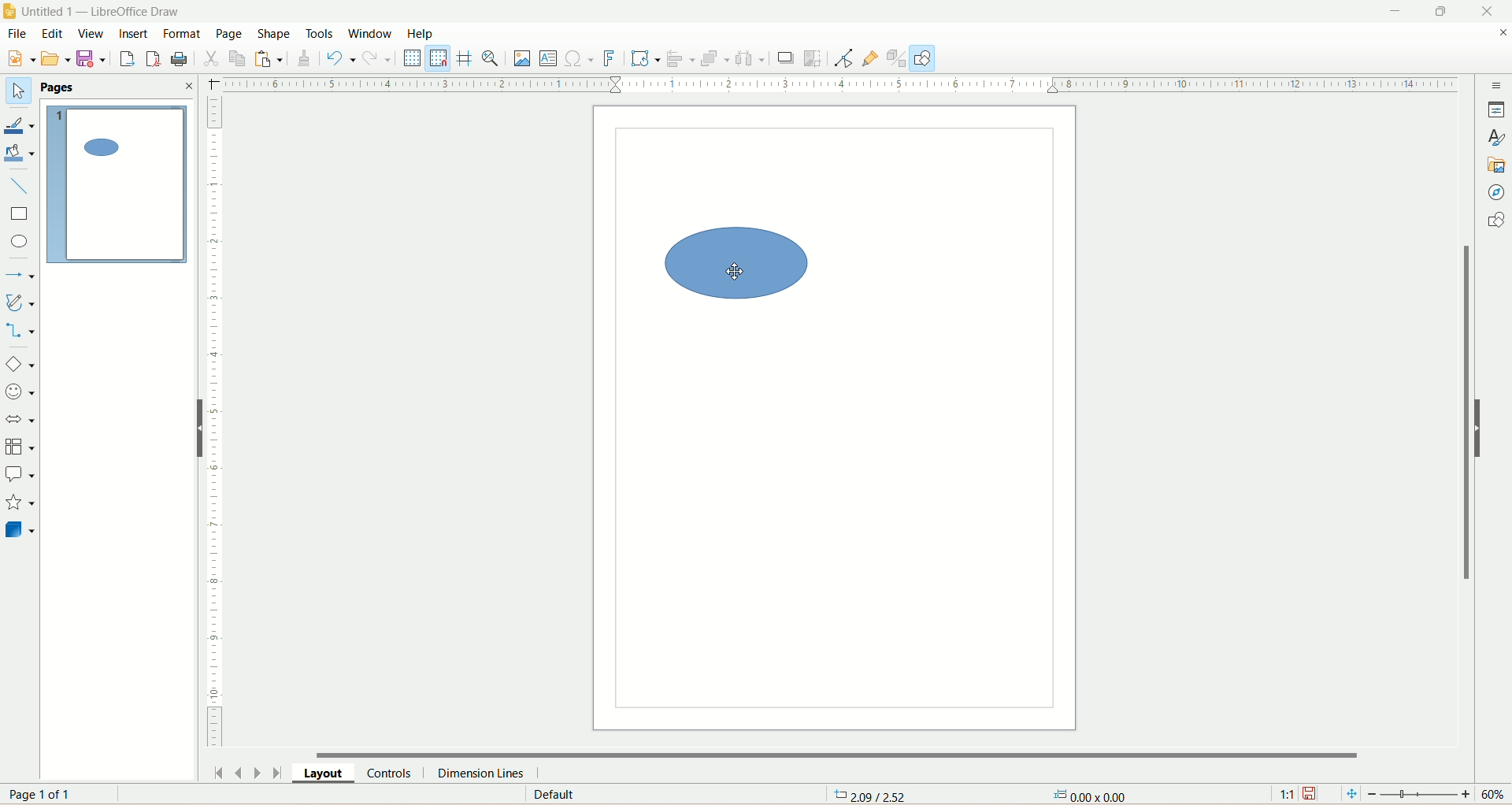 The image size is (1512, 805). Describe the element at coordinates (19, 240) in the screenshot. I see `ellipse` at that location.